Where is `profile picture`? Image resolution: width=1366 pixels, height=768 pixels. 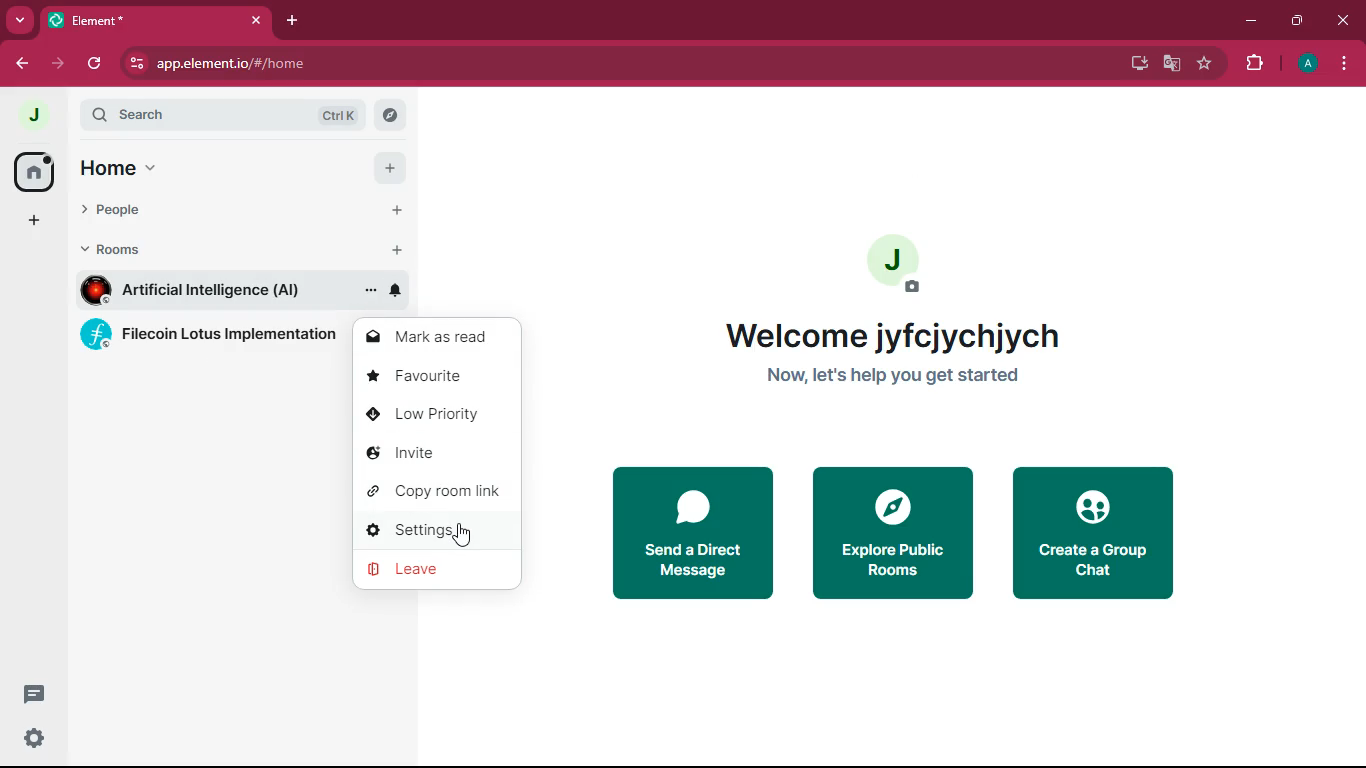
profile picture is located at coordinates (37, 116).